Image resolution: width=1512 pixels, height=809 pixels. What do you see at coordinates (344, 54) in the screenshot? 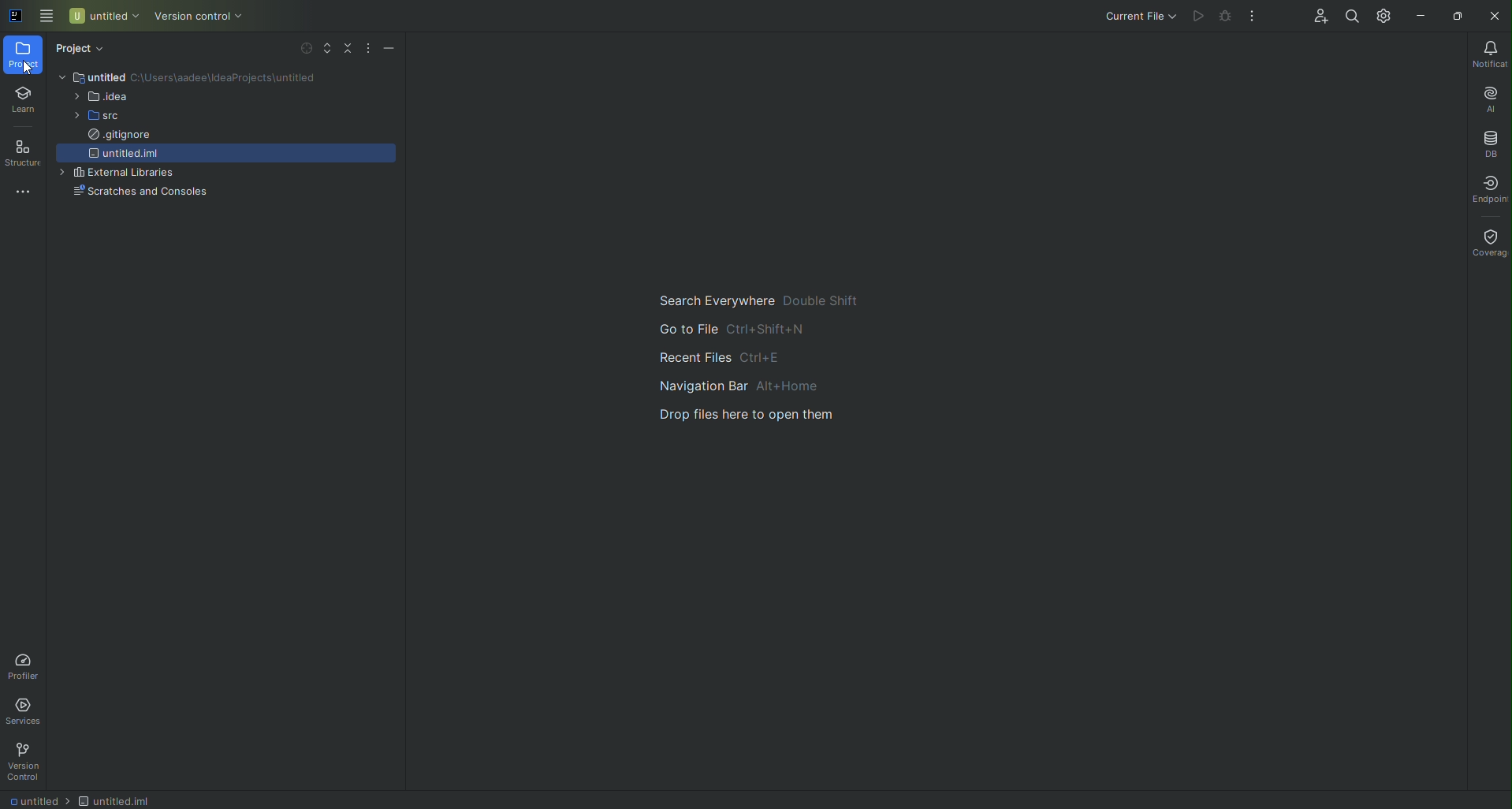
I see `Collapse` at bounding box center [344, 54].